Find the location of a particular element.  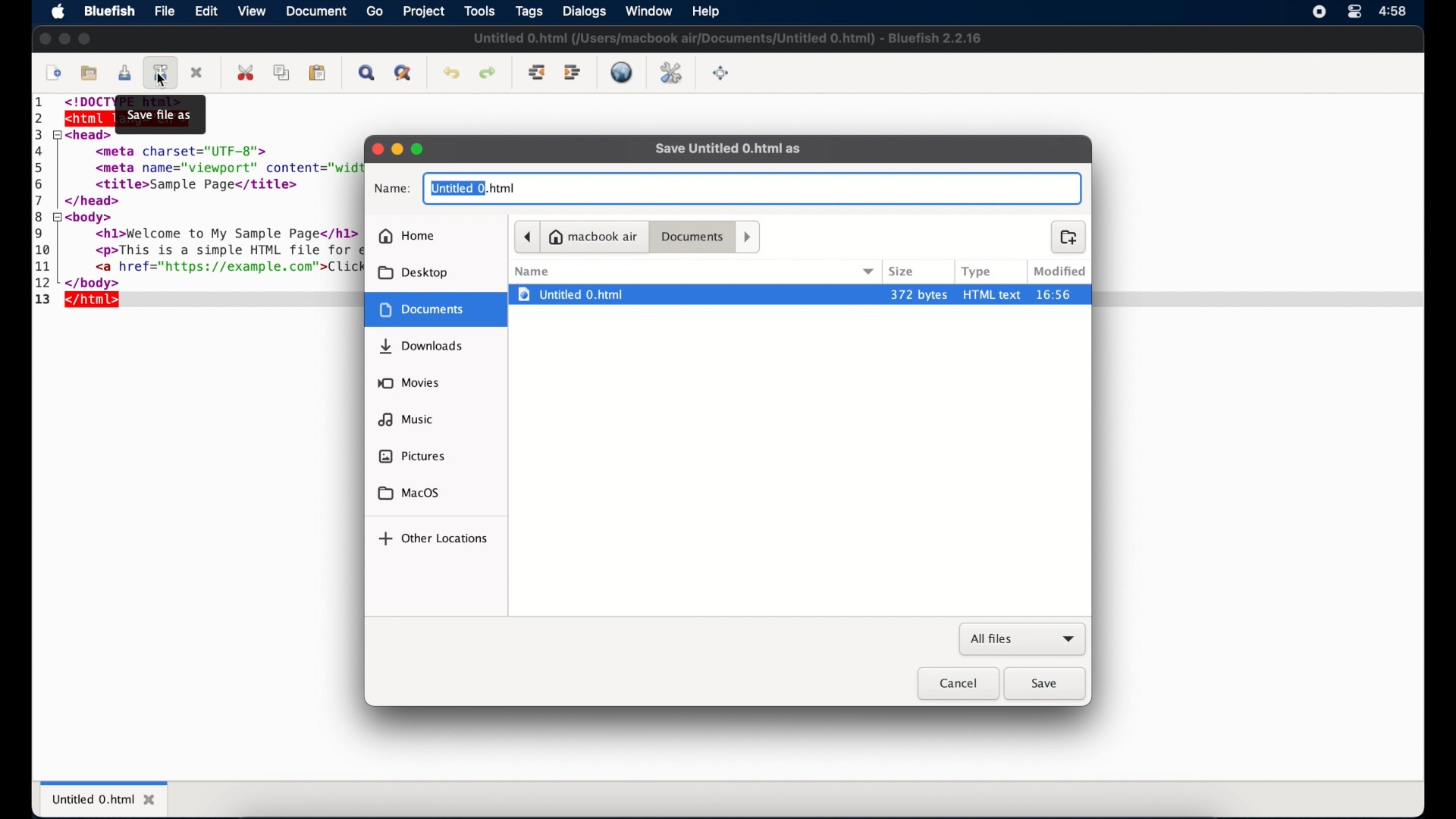

live preview is located at coordinates (621, 72).